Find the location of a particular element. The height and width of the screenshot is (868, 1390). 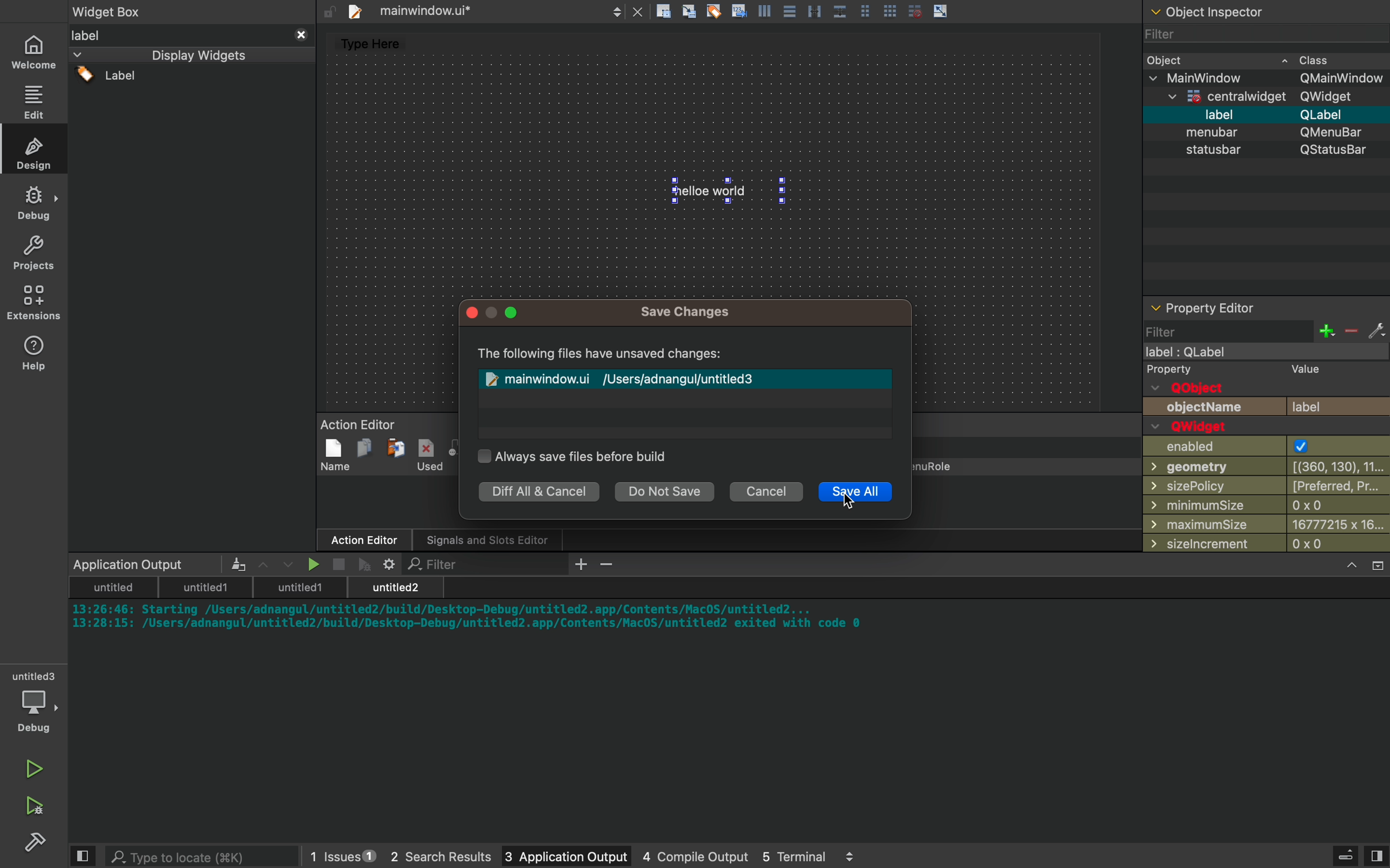

widget class is located at coordinates (1268, 59).